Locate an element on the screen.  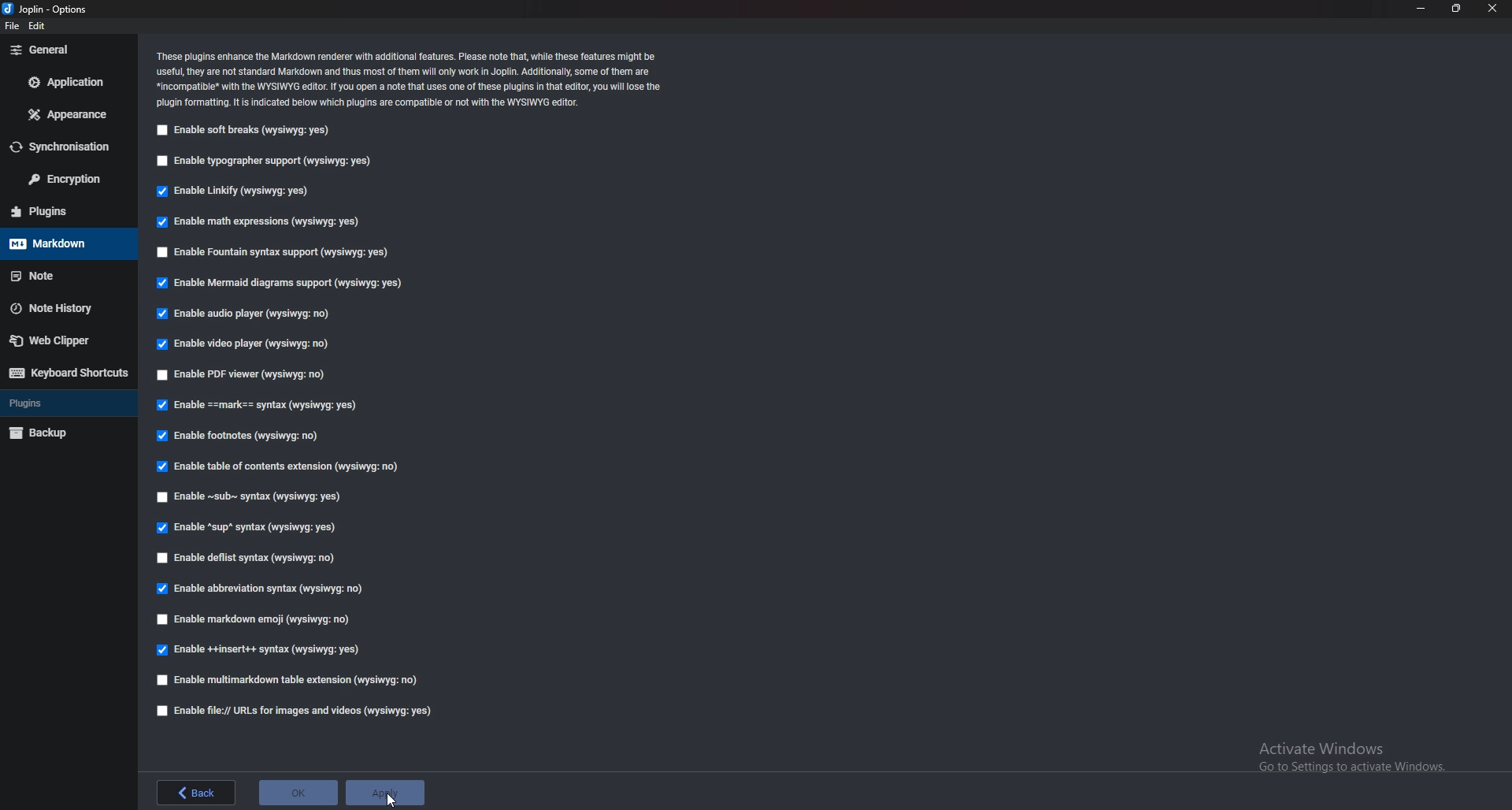
enable sup syntax is located at coordinates (249, 528).